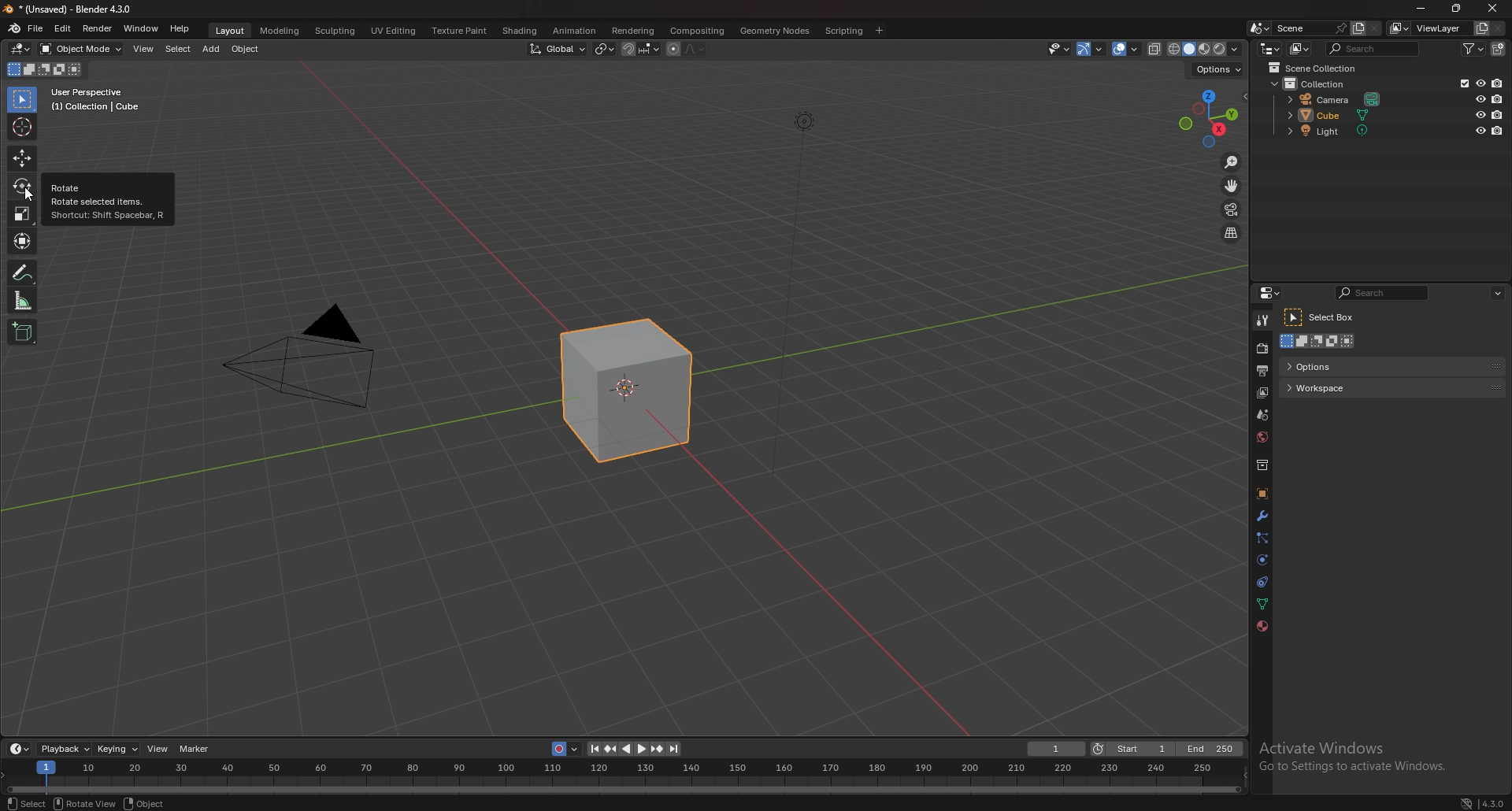  Describe the element at coordinates (1383, 292) in the screenshot. I see `search` at that location.